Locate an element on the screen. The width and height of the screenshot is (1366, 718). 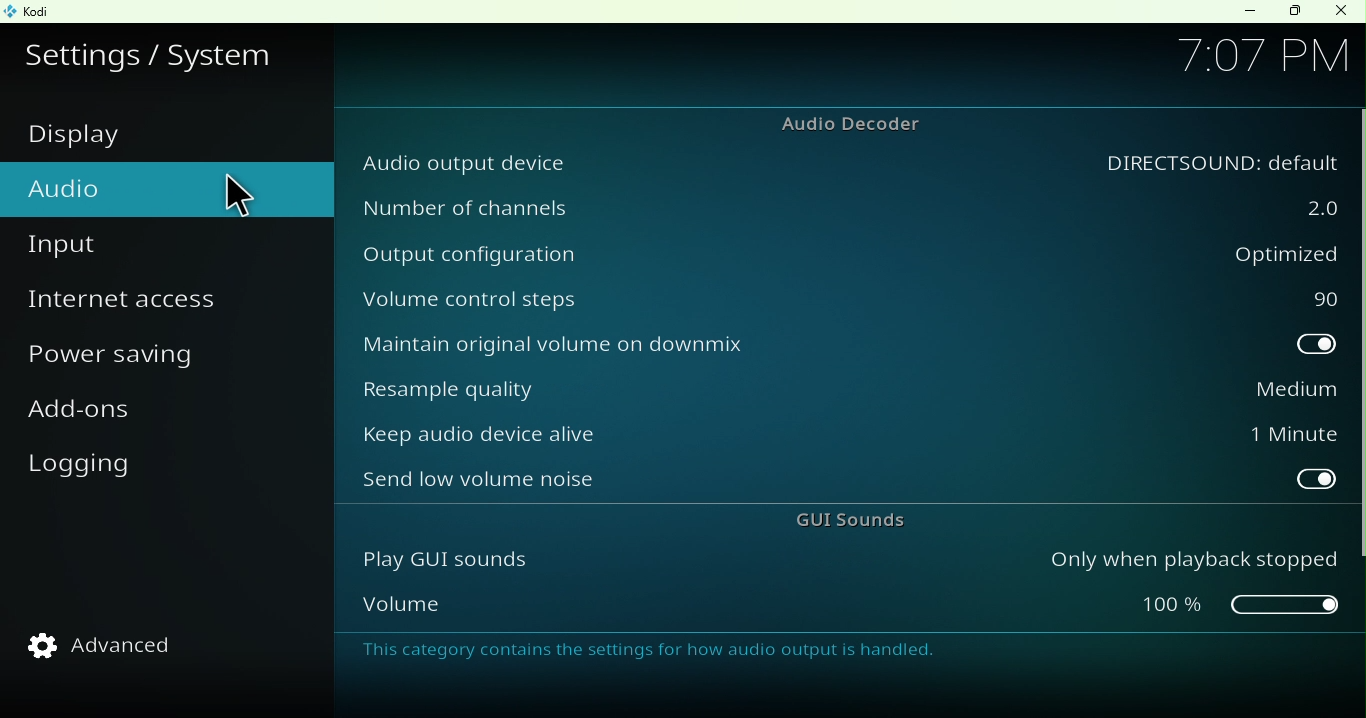
Logging is located at coordinates (84, 474).